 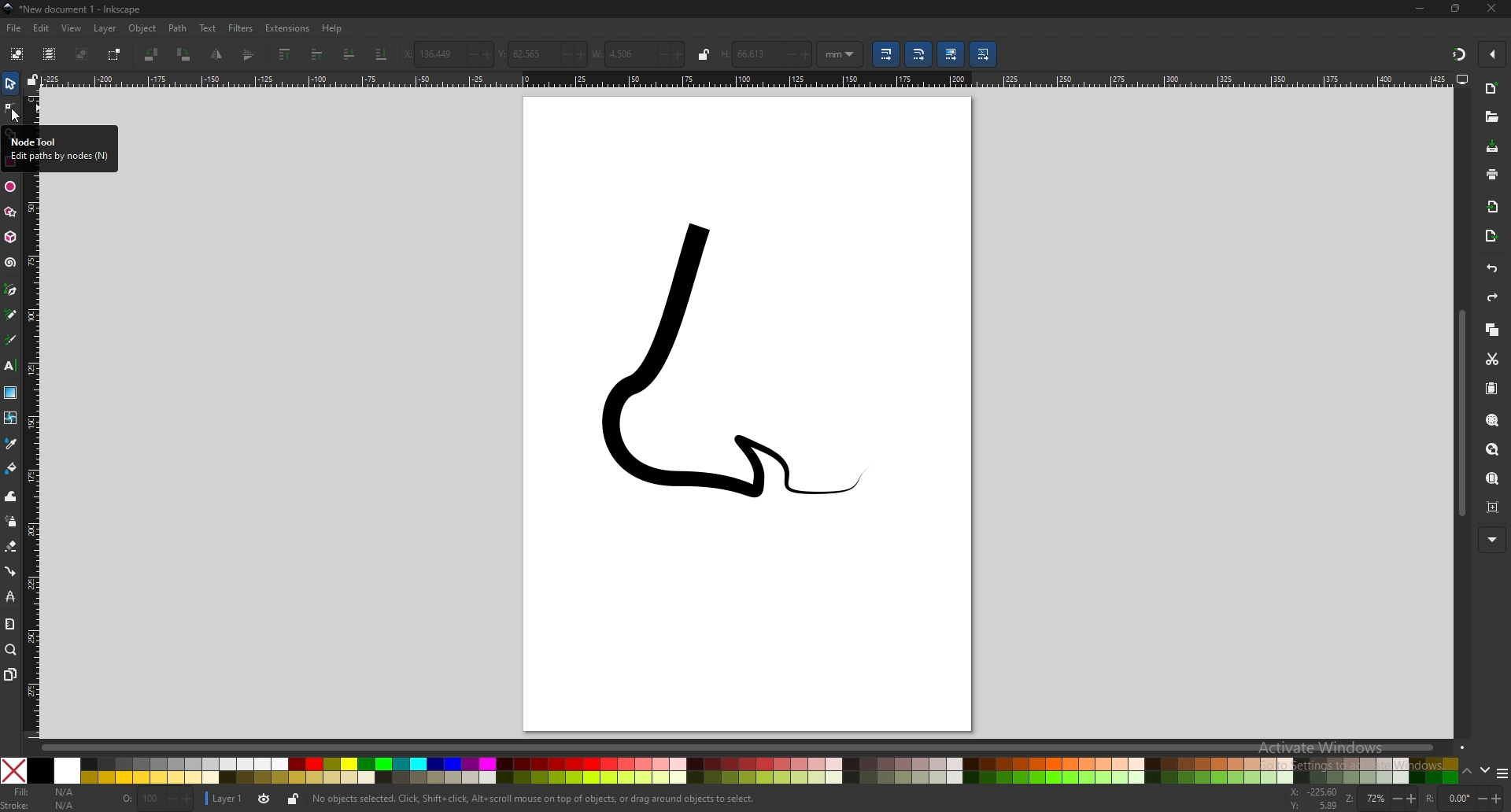 What do you see at coordinates (9, 263) in the screenshot?
I see `spiral` at bounding box center [9, 263].